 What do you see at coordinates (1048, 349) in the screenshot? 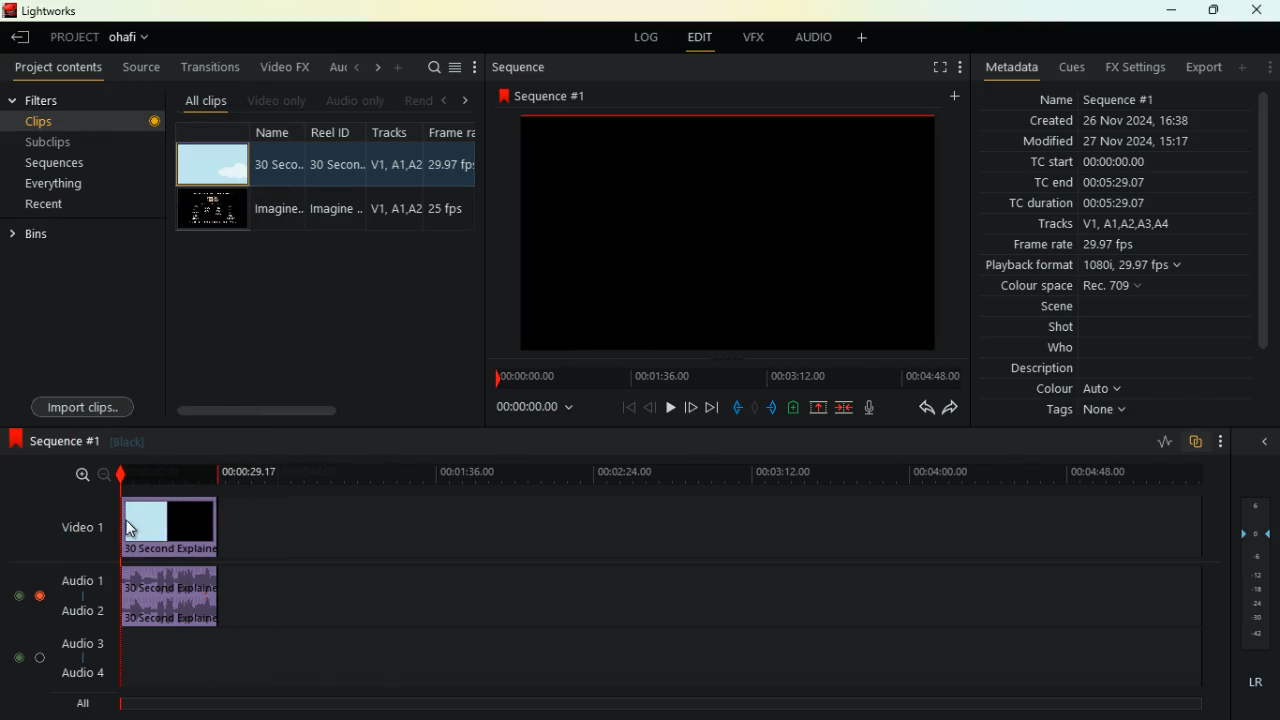
I see `who` at bounding box center [1048, 349].